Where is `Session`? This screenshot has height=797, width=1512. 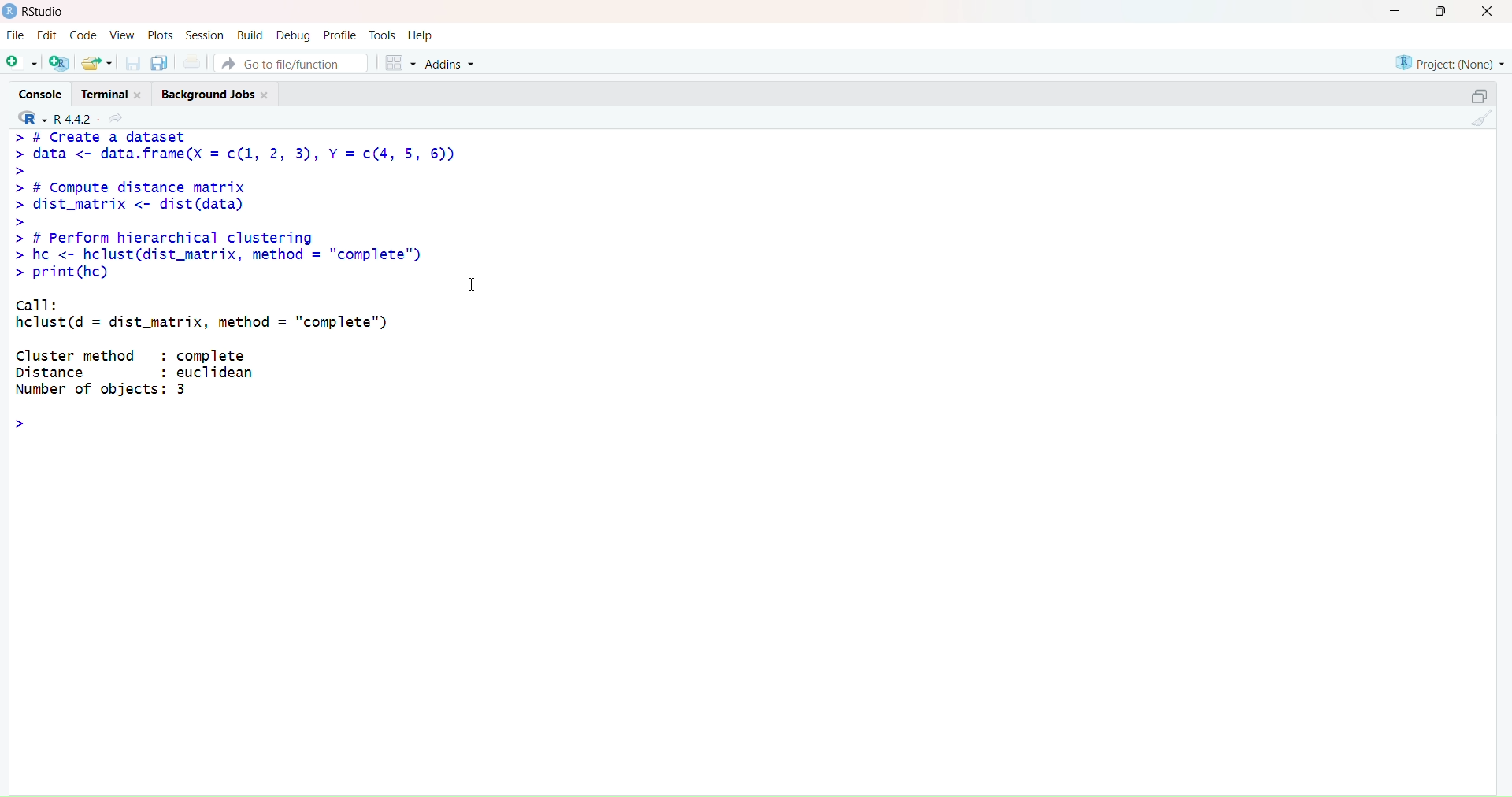
Session is located at coordinates (206, 34).